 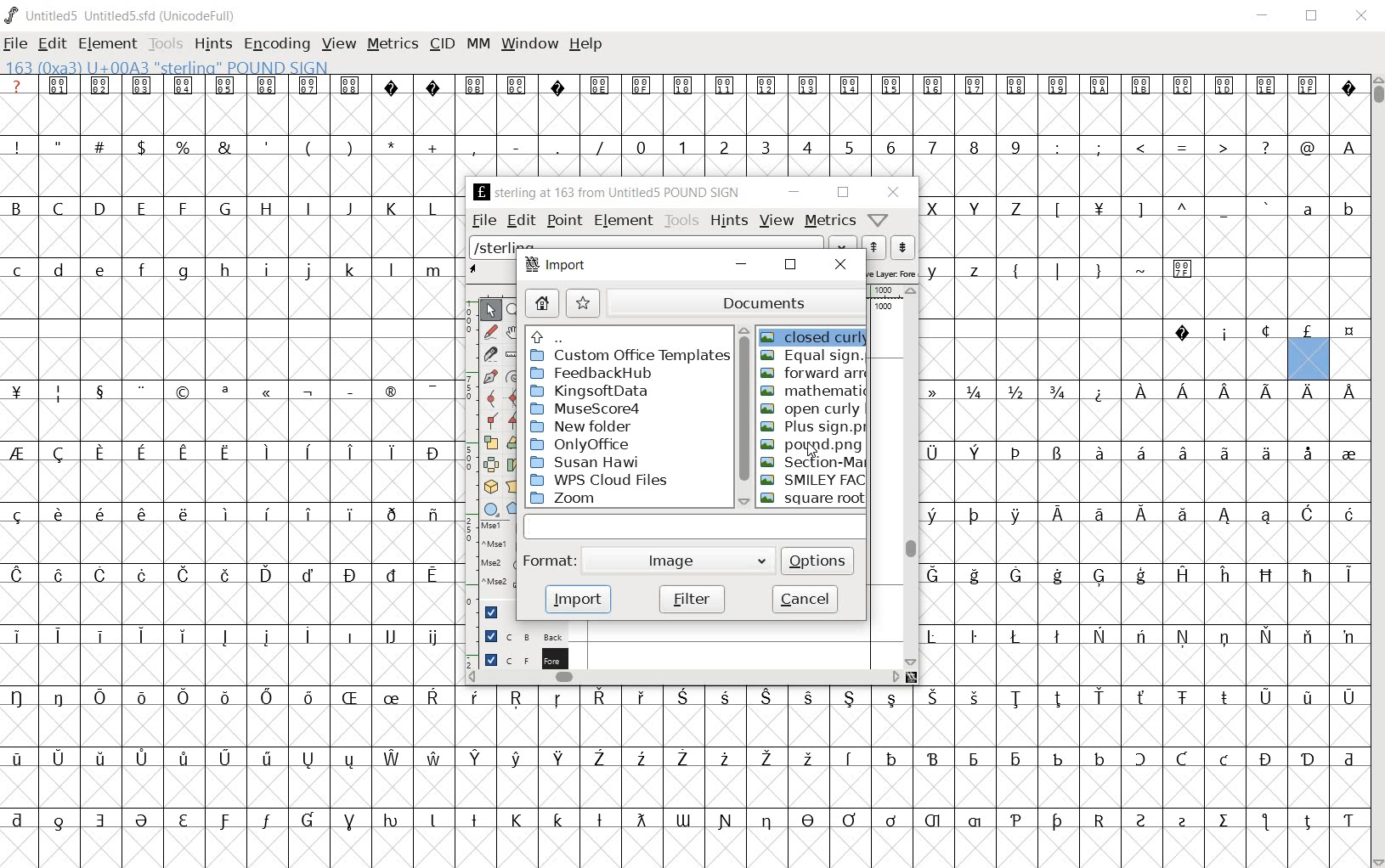 I want to click on Symbol, so click(x=59, y=697).